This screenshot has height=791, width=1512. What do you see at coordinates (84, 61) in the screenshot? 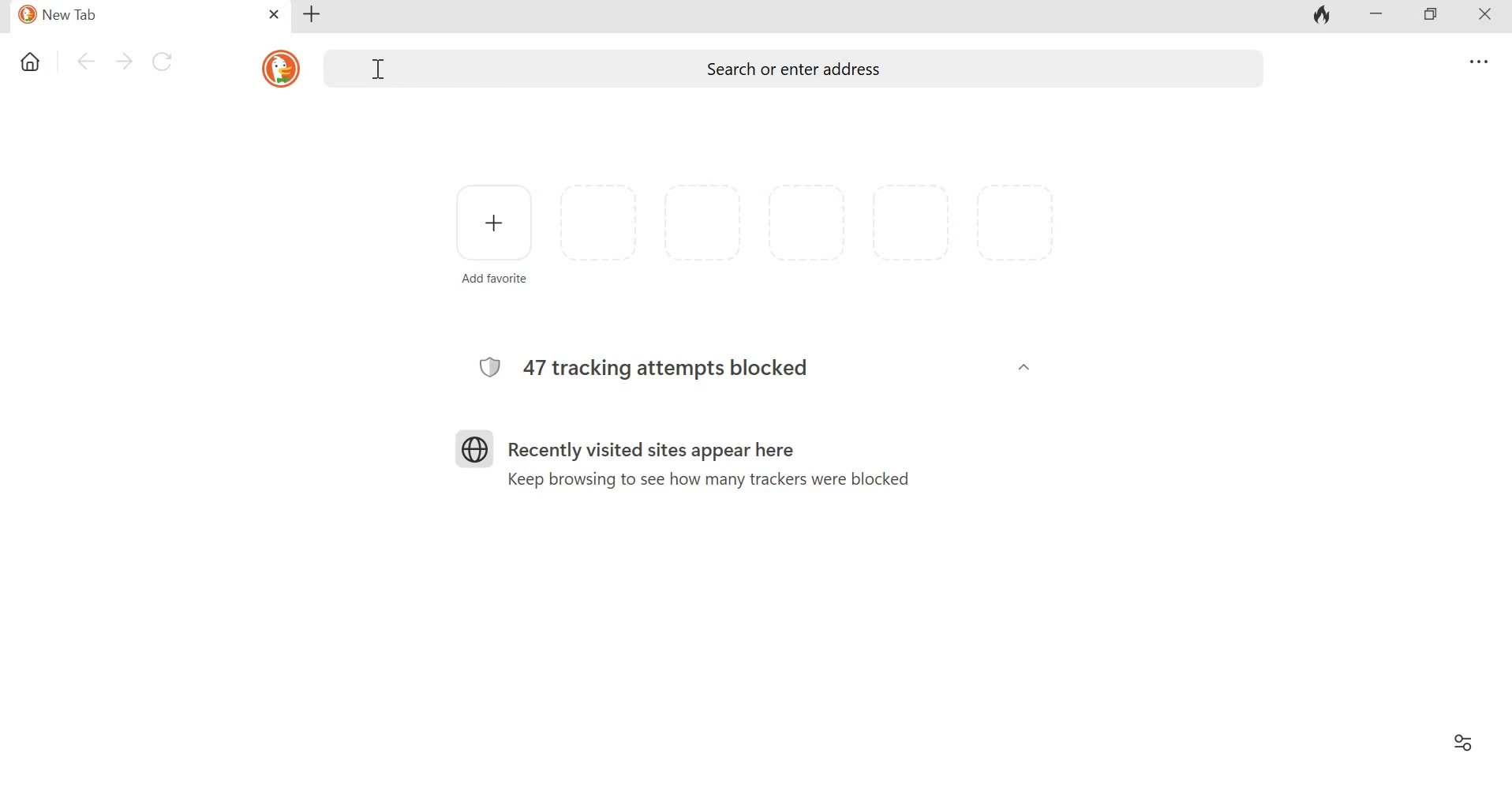
I see `Go back one page` at bounding box center [84, 61].